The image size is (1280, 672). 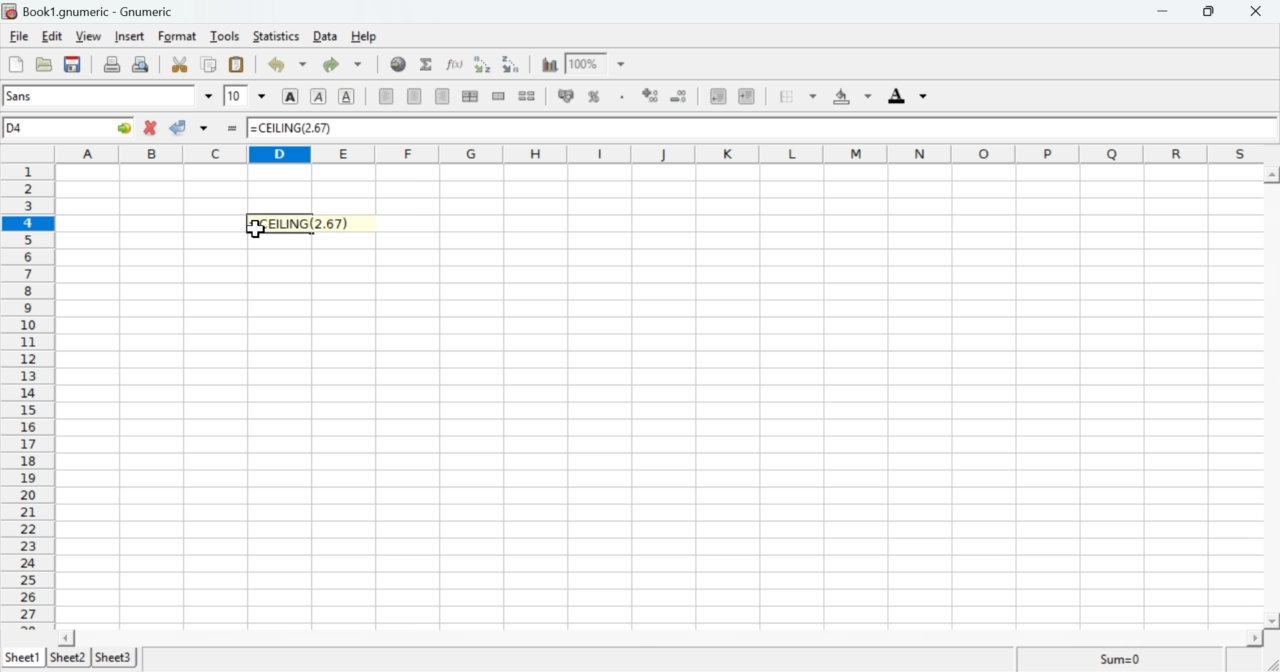 What do you see at coordinates (1118, 659) in the screenshot?
I see `Sum` at bounding box center [1118, 659].